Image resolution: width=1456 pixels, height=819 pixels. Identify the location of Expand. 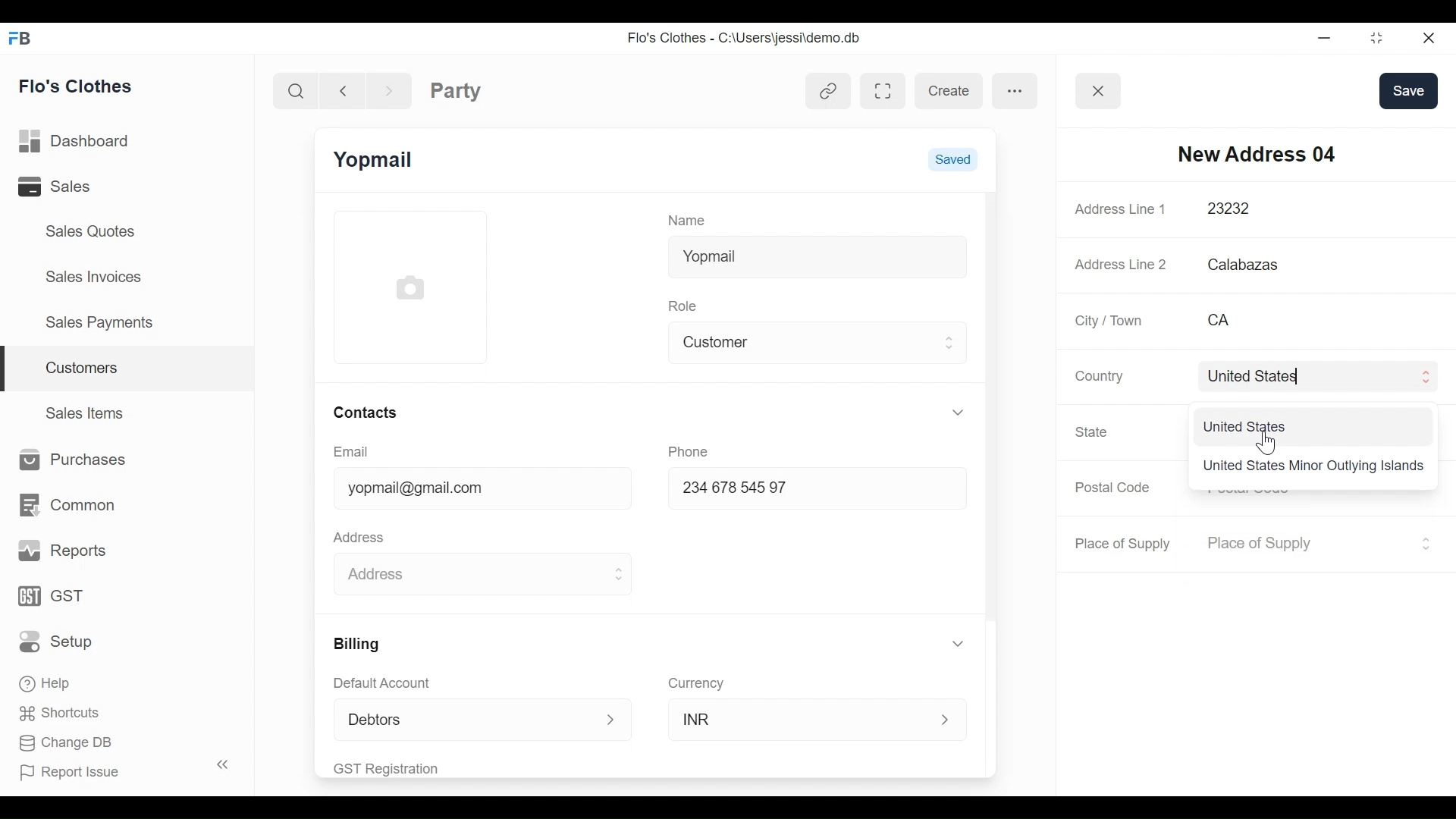
(958, 412).